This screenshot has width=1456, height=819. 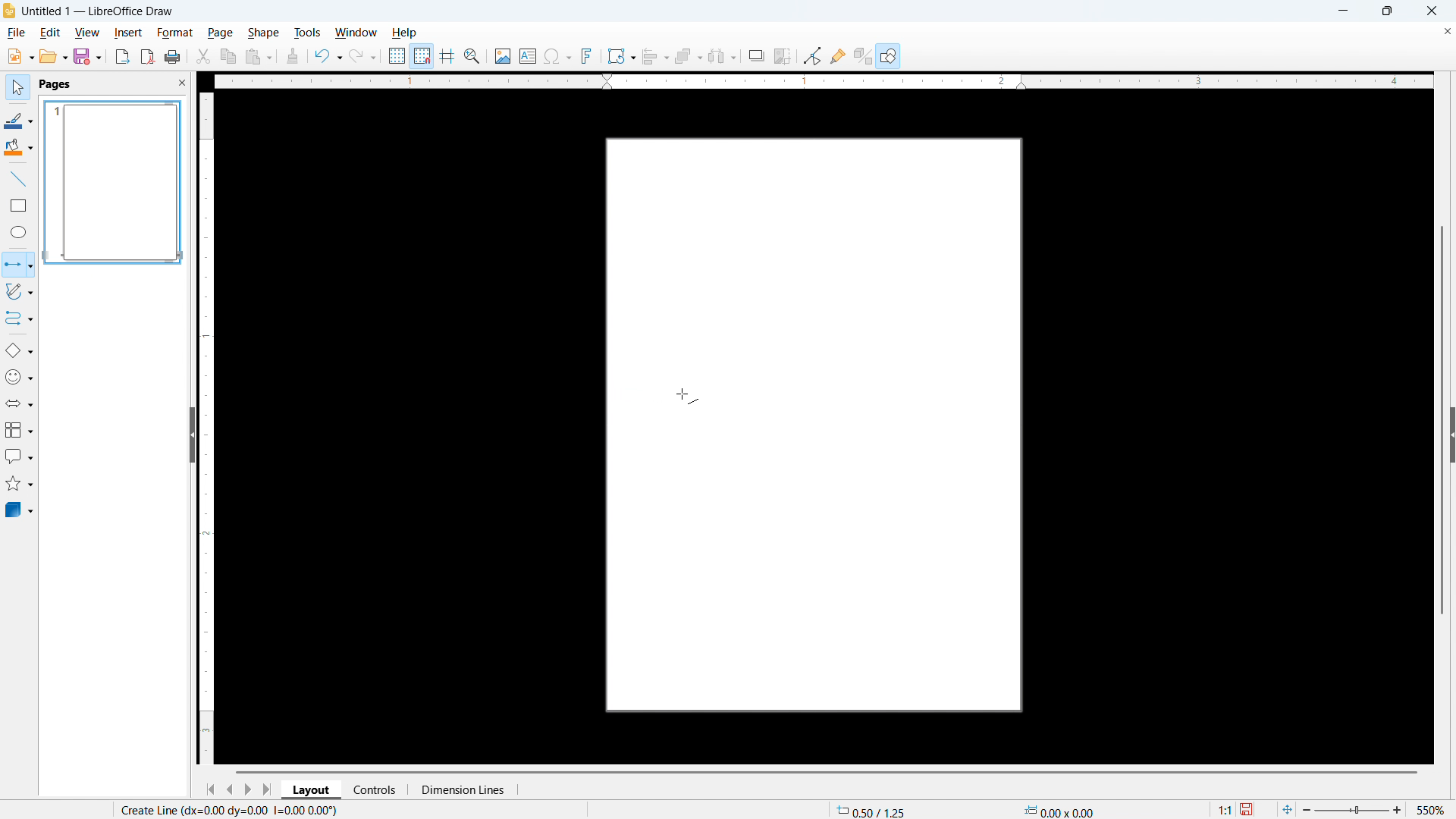 What do you see at coordinates (823, 81) in the screenshot?
I see `Horizontal ruler ` at bounding box center [823, 81].